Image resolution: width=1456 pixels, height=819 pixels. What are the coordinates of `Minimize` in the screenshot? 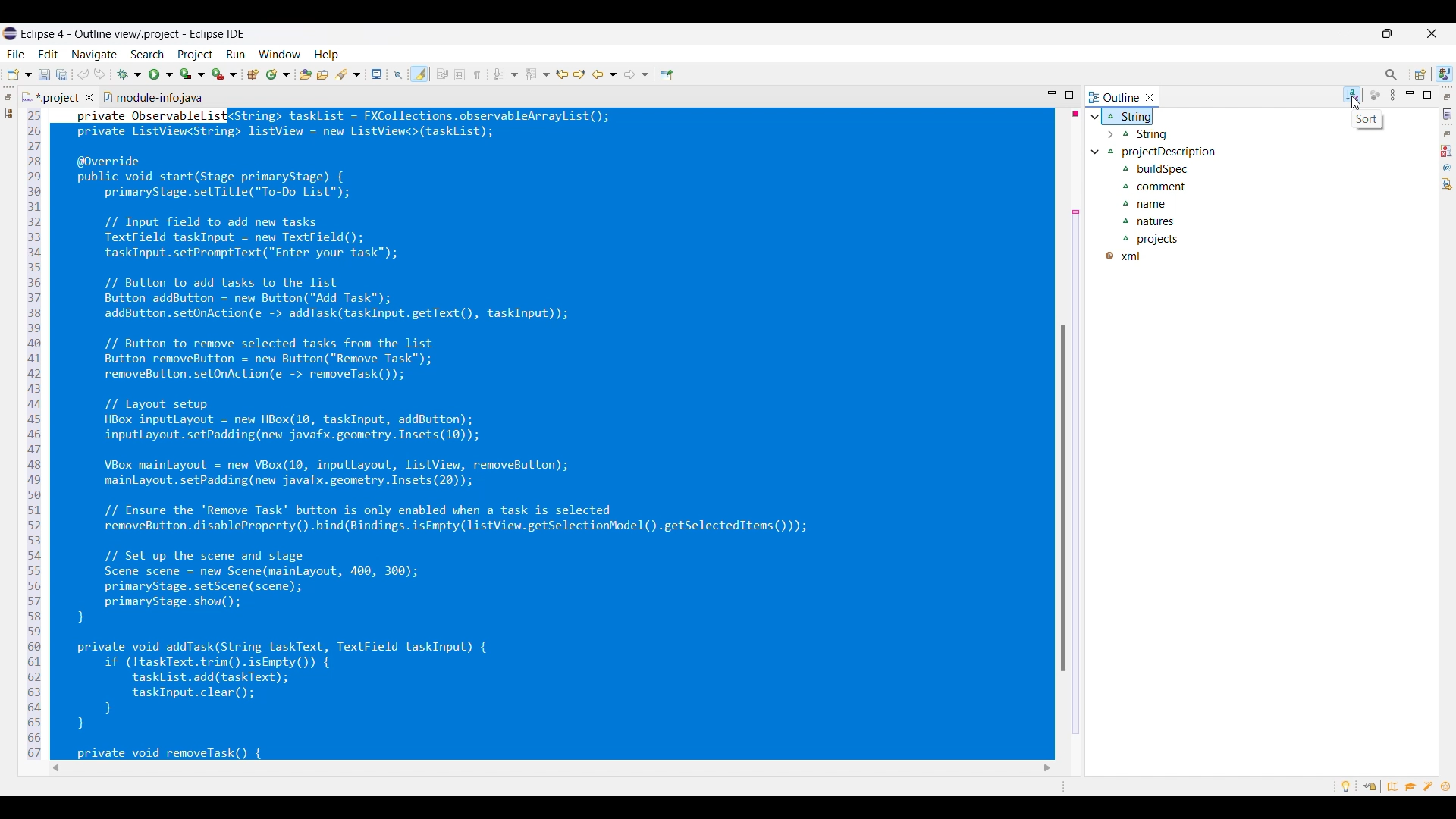 It's located at (1410, 94).